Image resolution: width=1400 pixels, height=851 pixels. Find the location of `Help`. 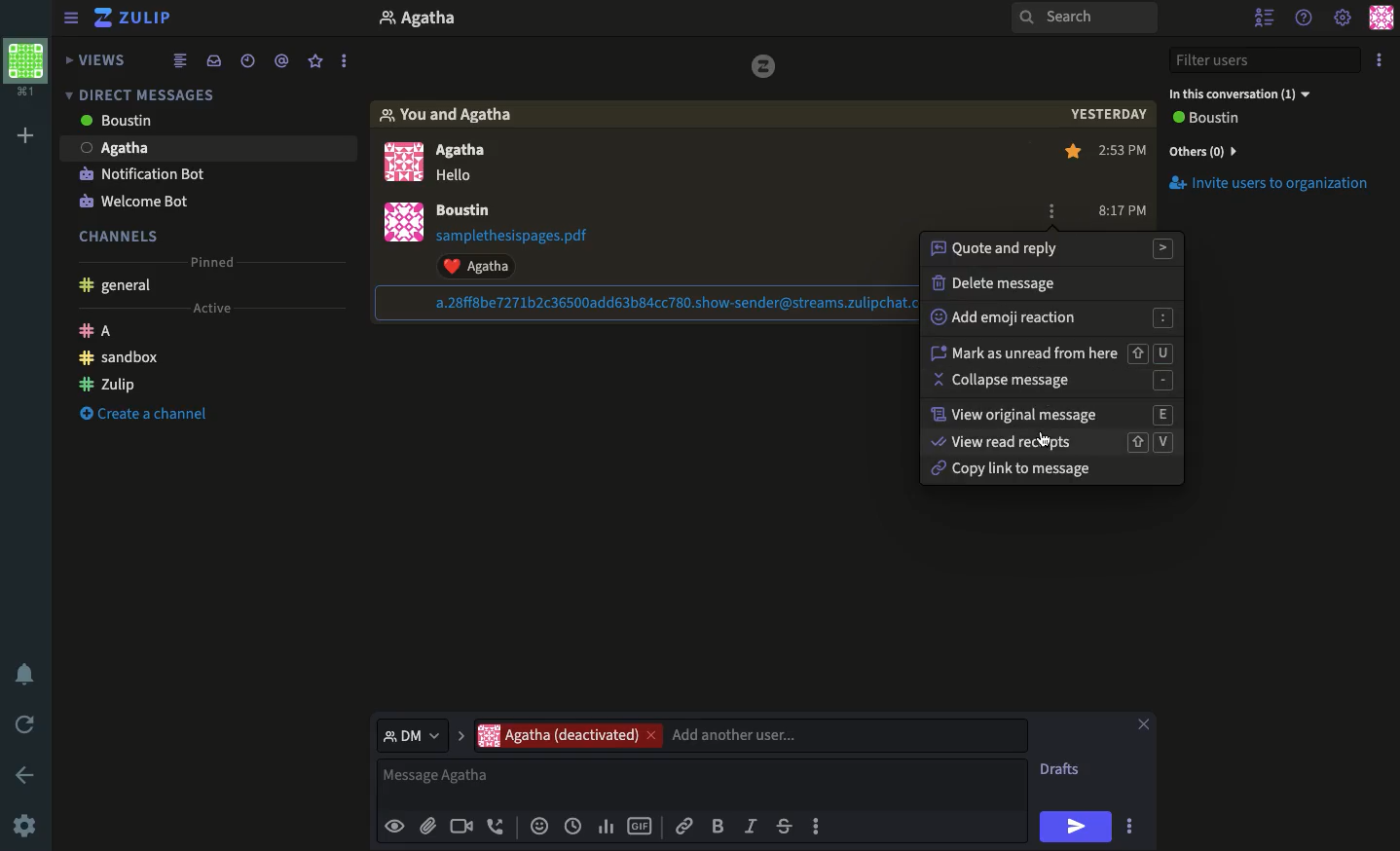

Help is located at coordinates (1303, 18).